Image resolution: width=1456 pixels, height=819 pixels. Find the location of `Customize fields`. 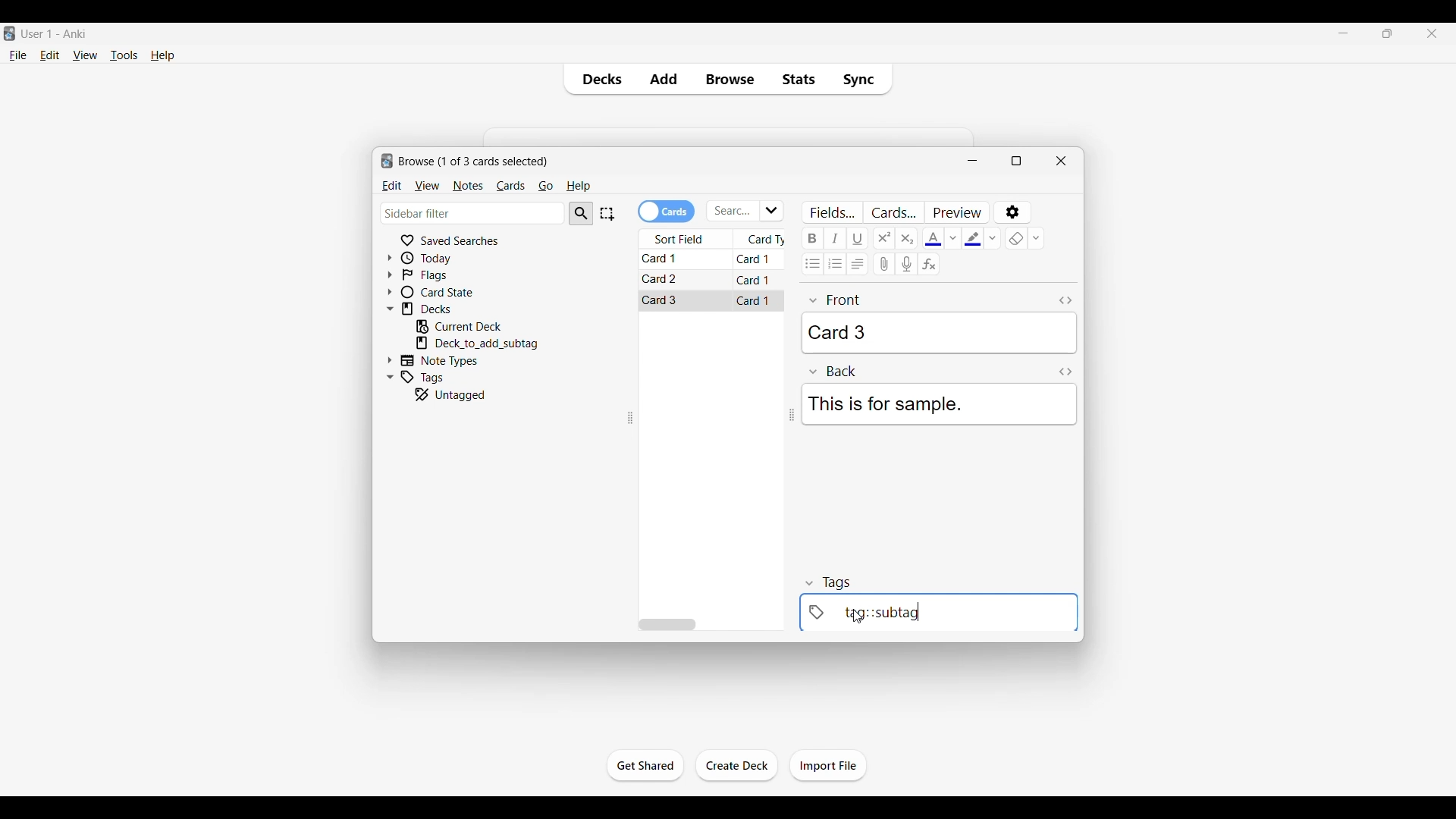

Customize fields is located at coordinates (833, 212).